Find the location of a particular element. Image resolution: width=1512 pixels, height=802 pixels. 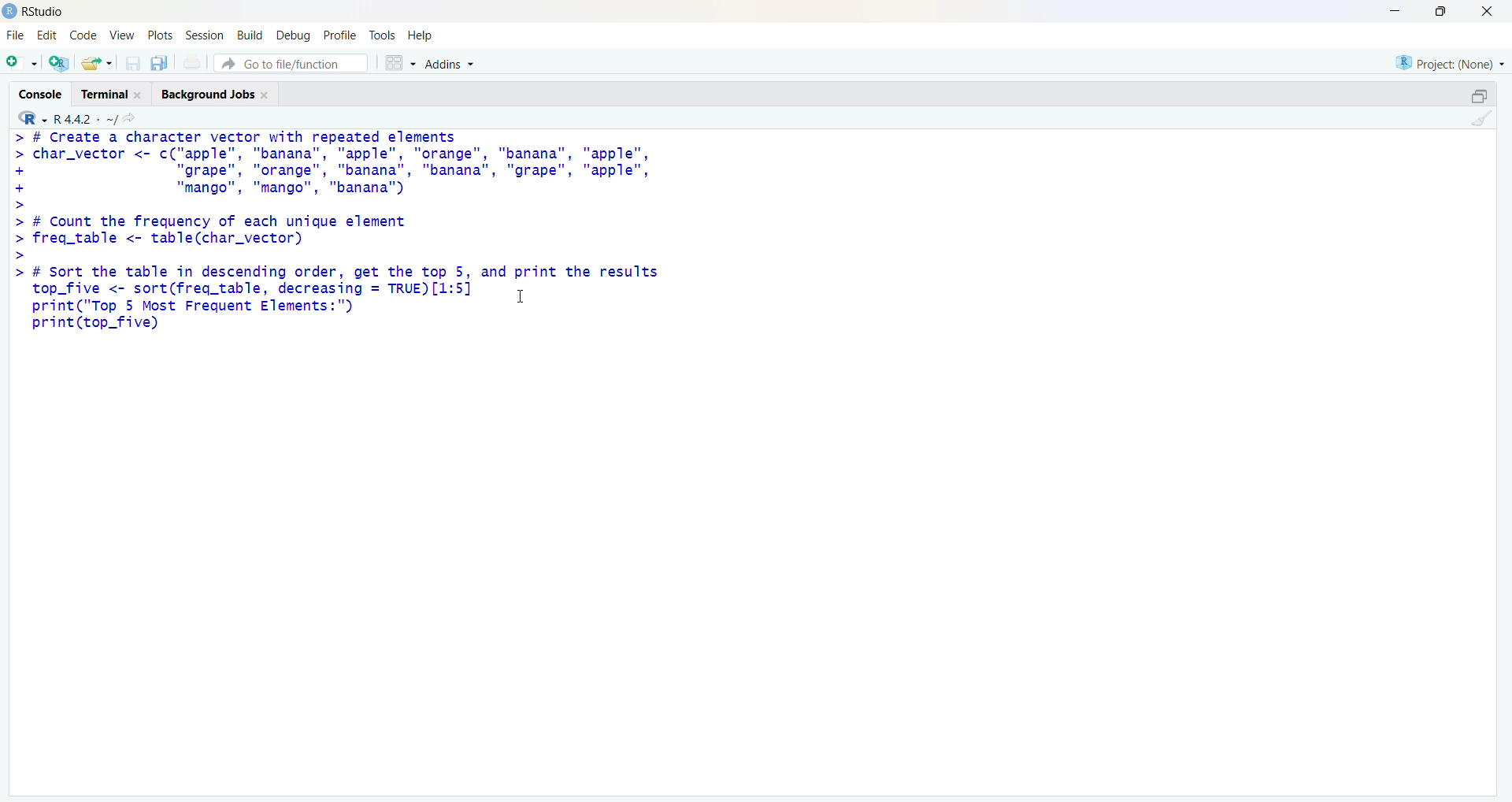

R is located at coordinates (32, 117).